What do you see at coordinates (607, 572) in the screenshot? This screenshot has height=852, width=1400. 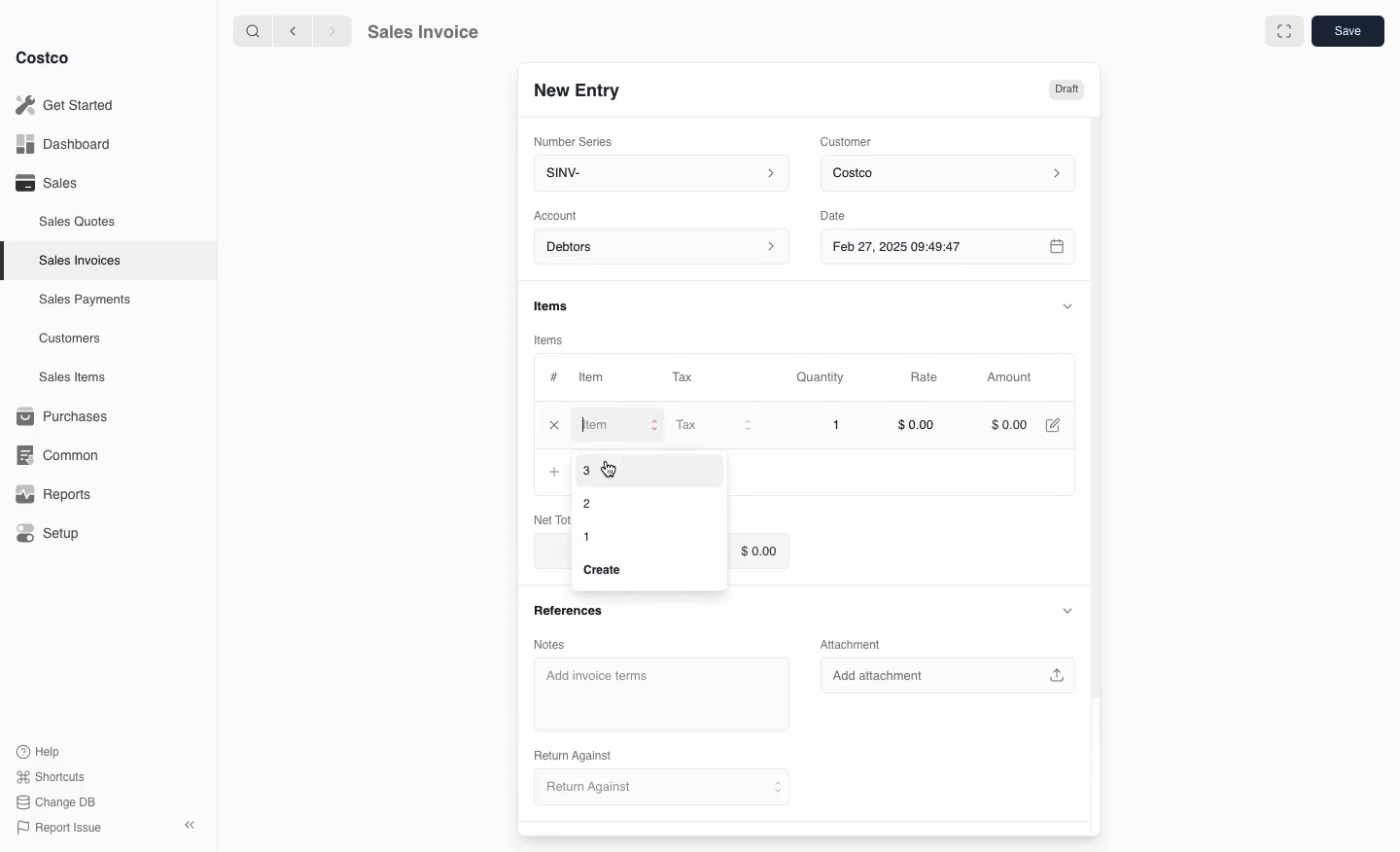 I see `Create` at bounding box center [607, 572].